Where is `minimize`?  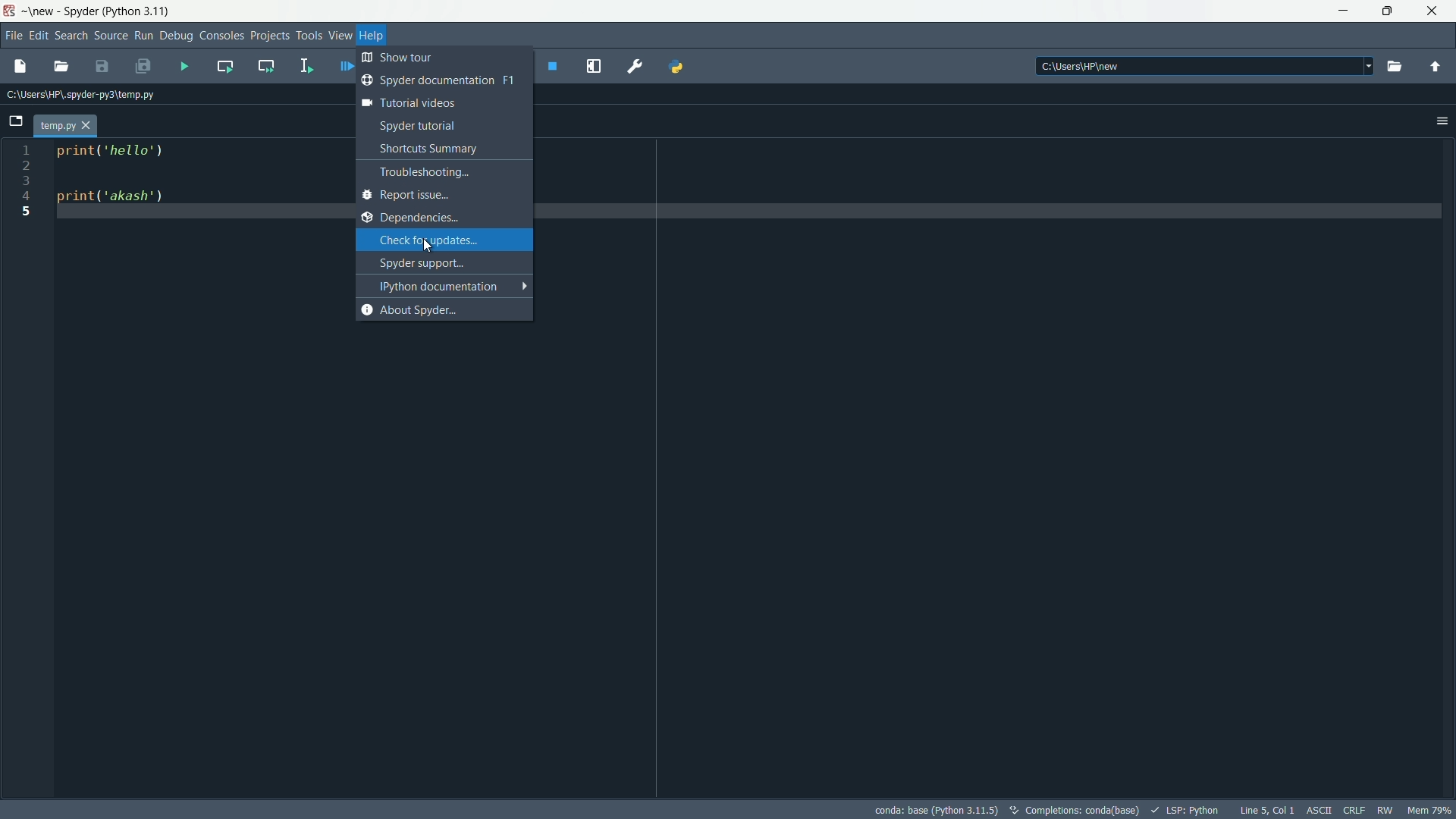 minimize is located at coordinates (1342, 10).